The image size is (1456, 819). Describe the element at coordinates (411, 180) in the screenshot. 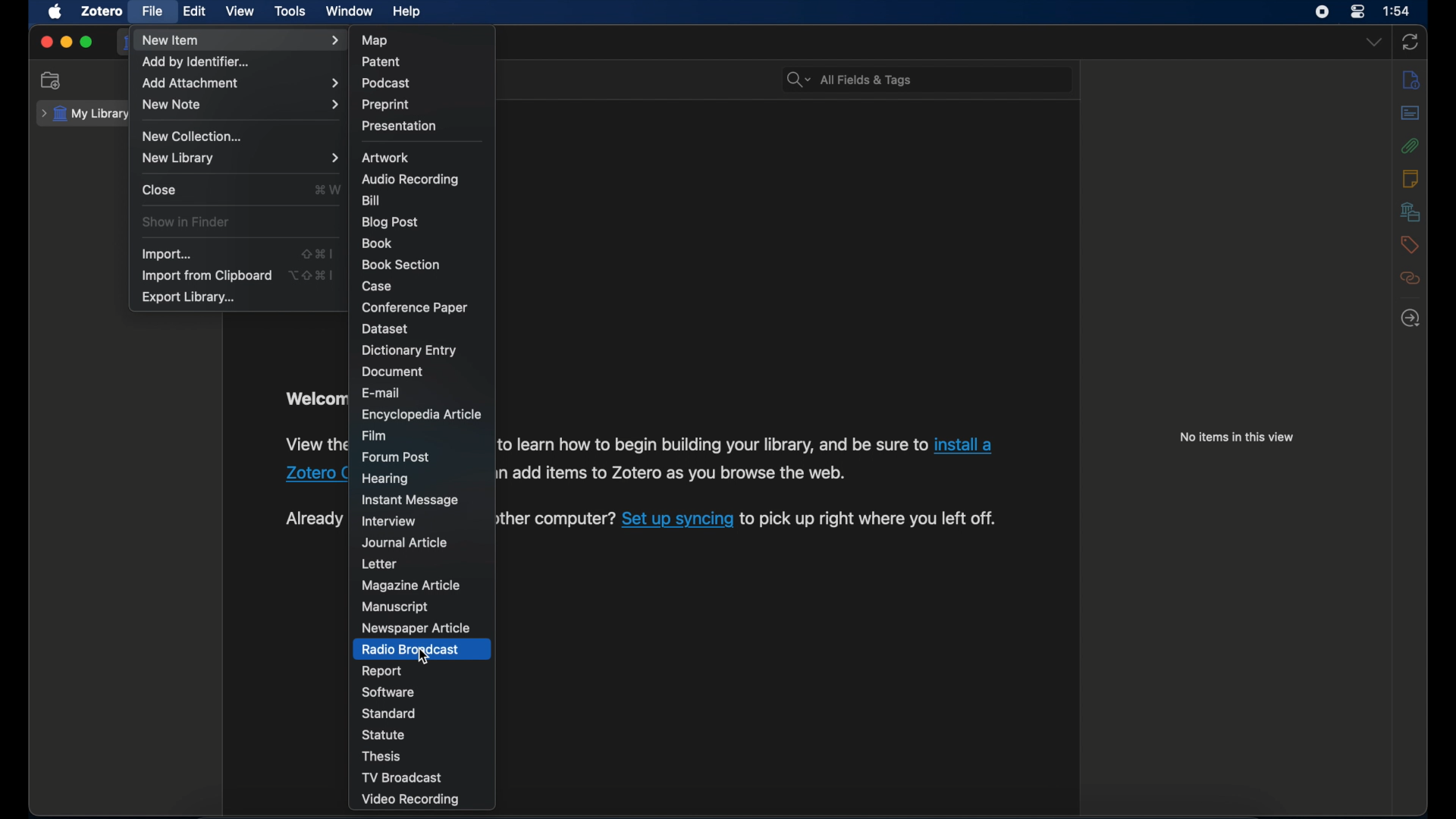

I see `audio recording` at that location.